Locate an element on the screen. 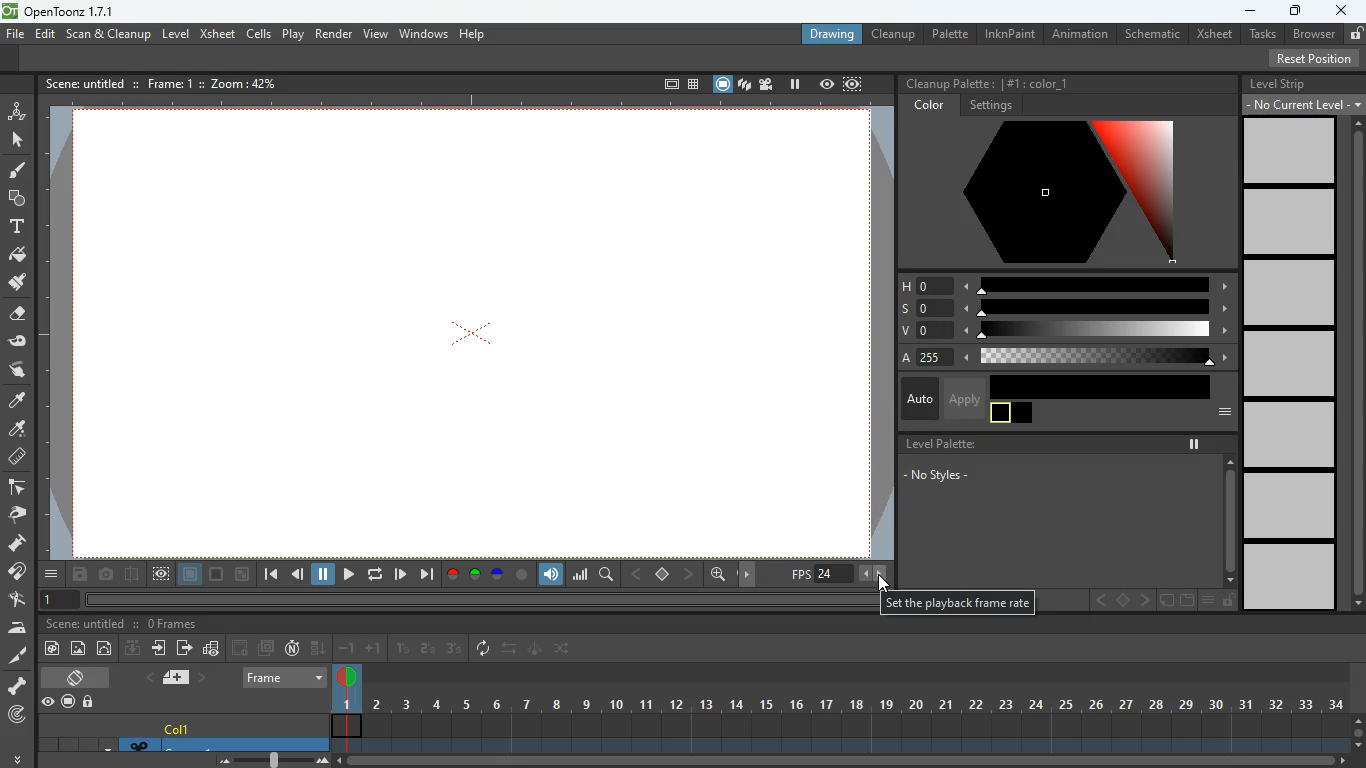 This screenshot has width=1366, height=768. begin is located at coordinates (270, 576).